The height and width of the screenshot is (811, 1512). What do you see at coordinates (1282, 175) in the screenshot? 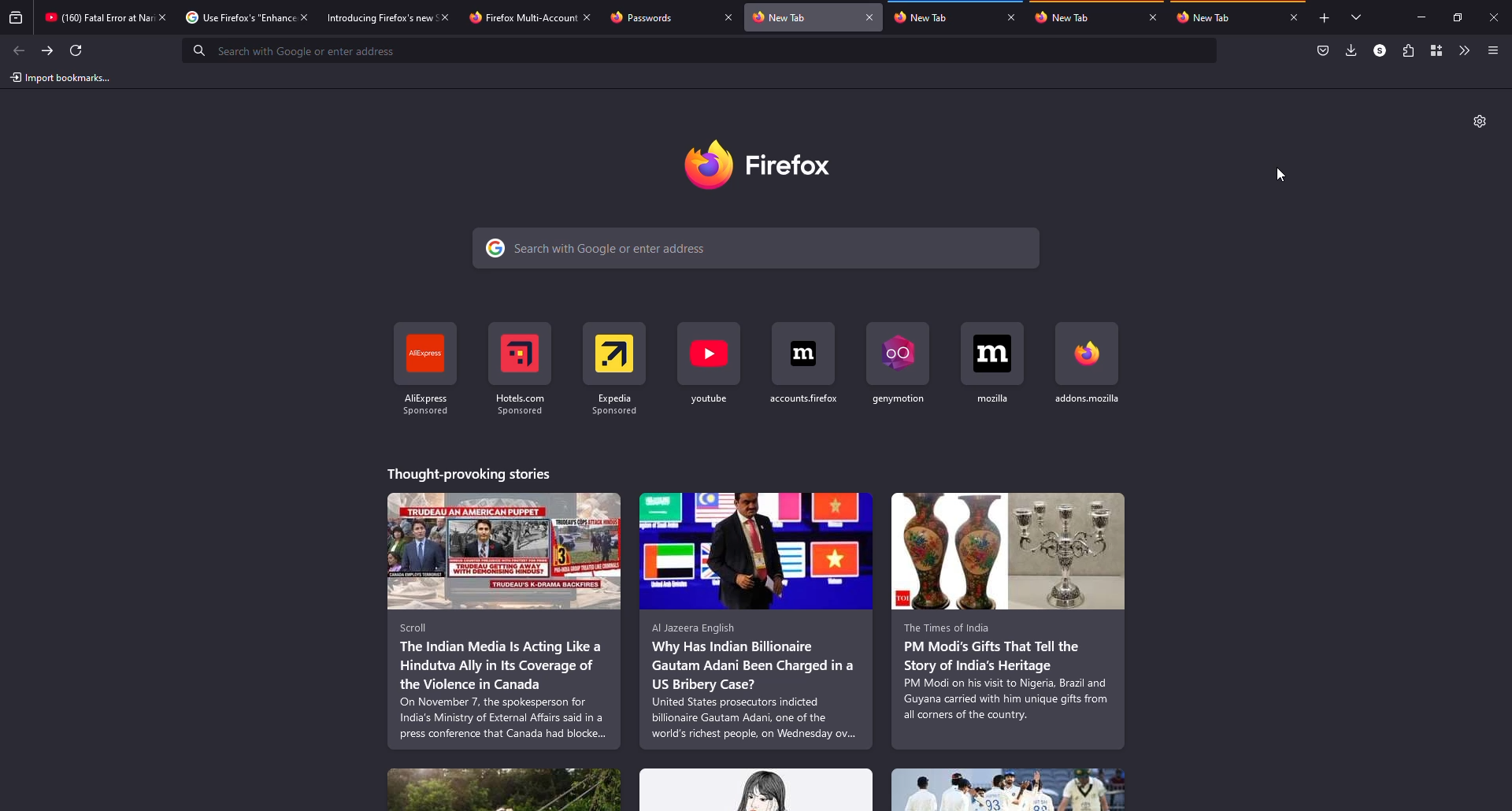
I see `cursor` at bounding box center [1282, 175].